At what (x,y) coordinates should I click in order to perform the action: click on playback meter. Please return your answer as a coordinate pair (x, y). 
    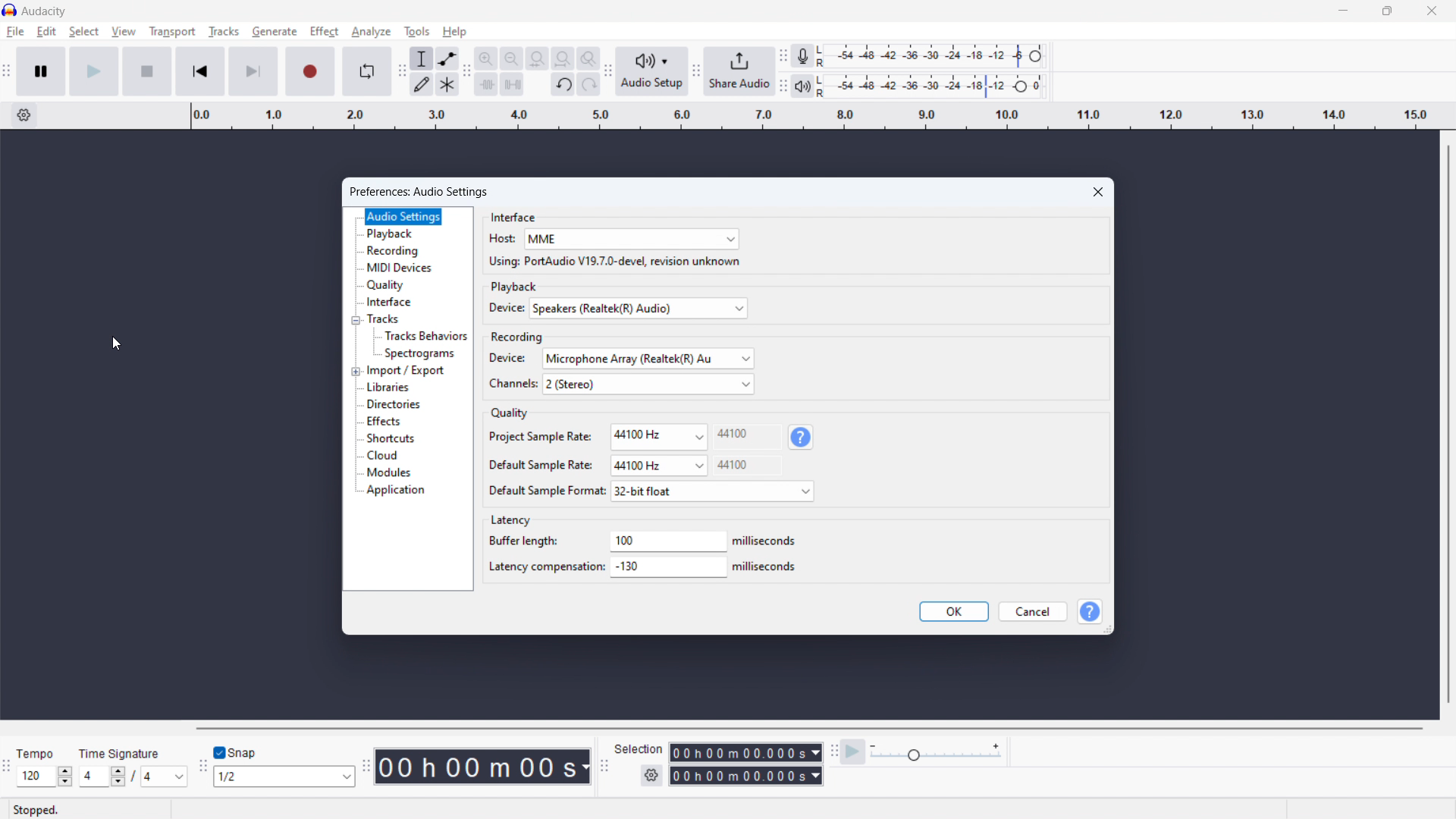
    Looking at the image, I should click on (803, 86).